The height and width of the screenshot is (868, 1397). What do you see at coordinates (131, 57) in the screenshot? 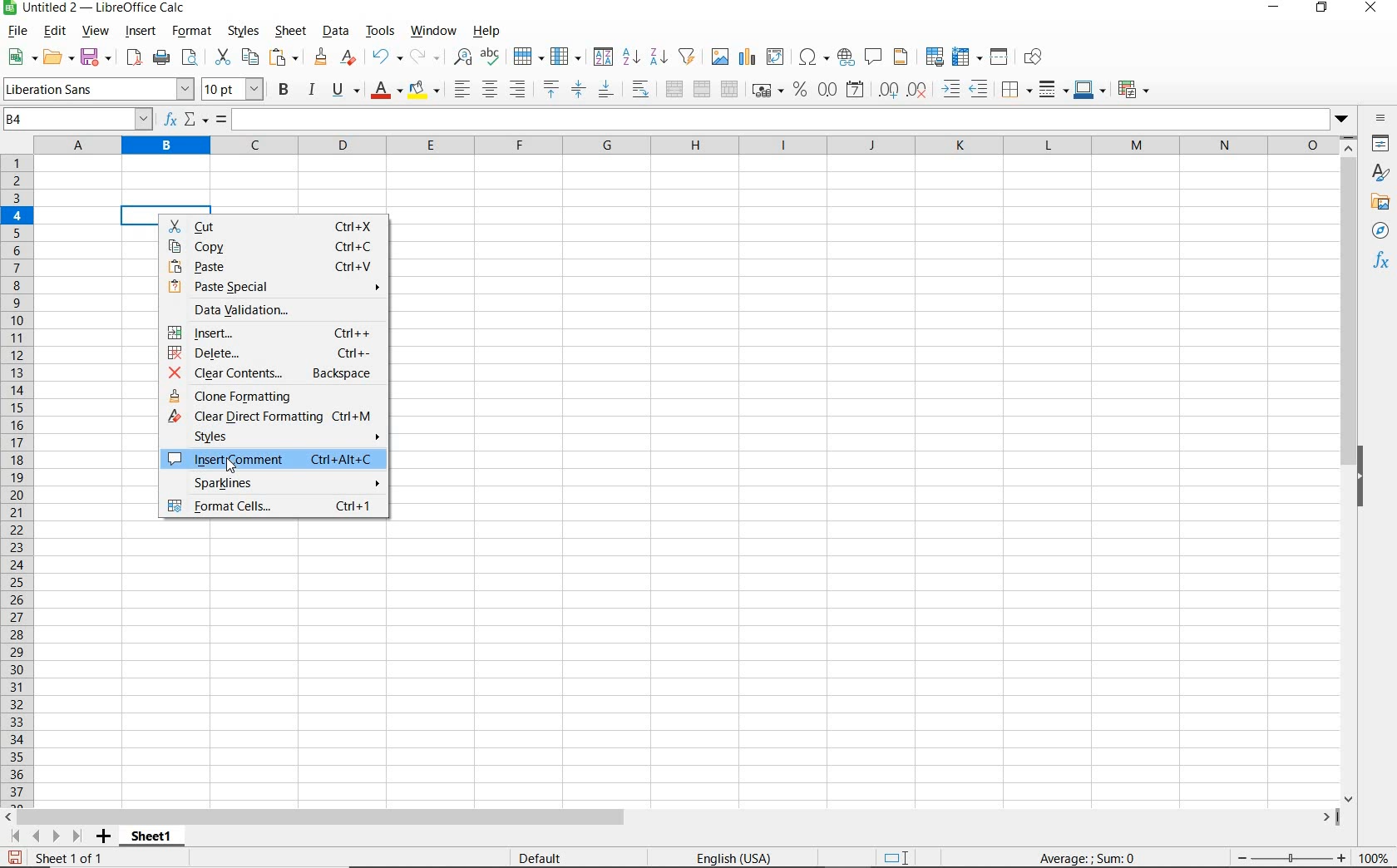
I see `export as pdf` at bounding box center [131, 57].